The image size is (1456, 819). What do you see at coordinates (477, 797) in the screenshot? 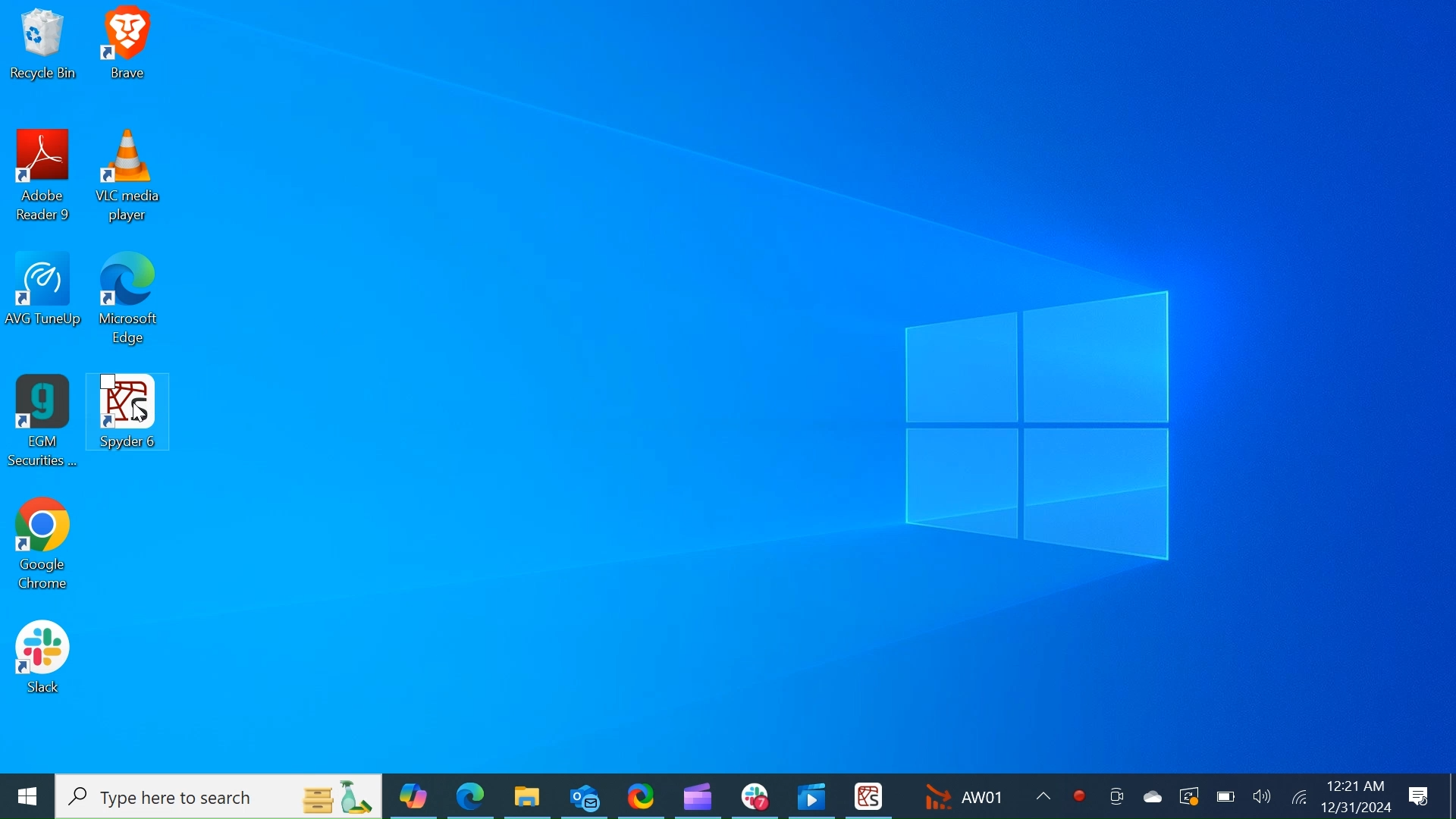
I see `Microsoft Edge Desktop Icon` at bounding box center [477, 797].